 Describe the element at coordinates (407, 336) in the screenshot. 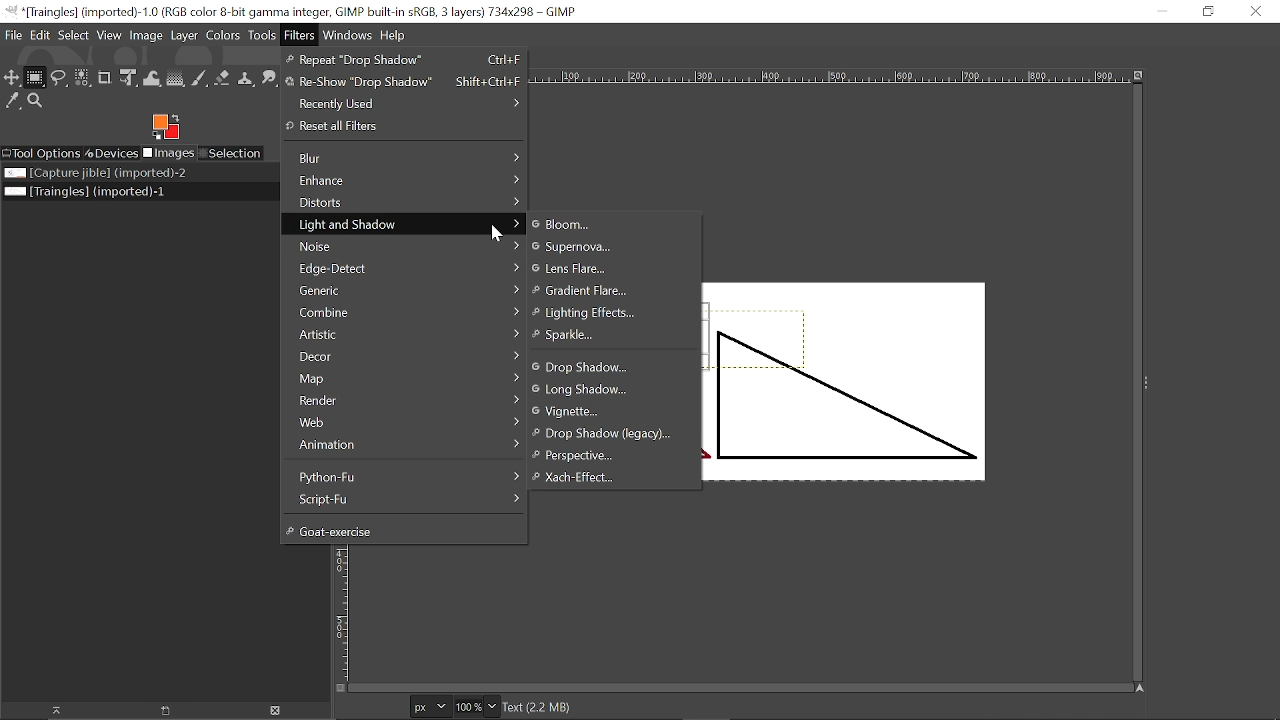

I see `Artistic` at that location.